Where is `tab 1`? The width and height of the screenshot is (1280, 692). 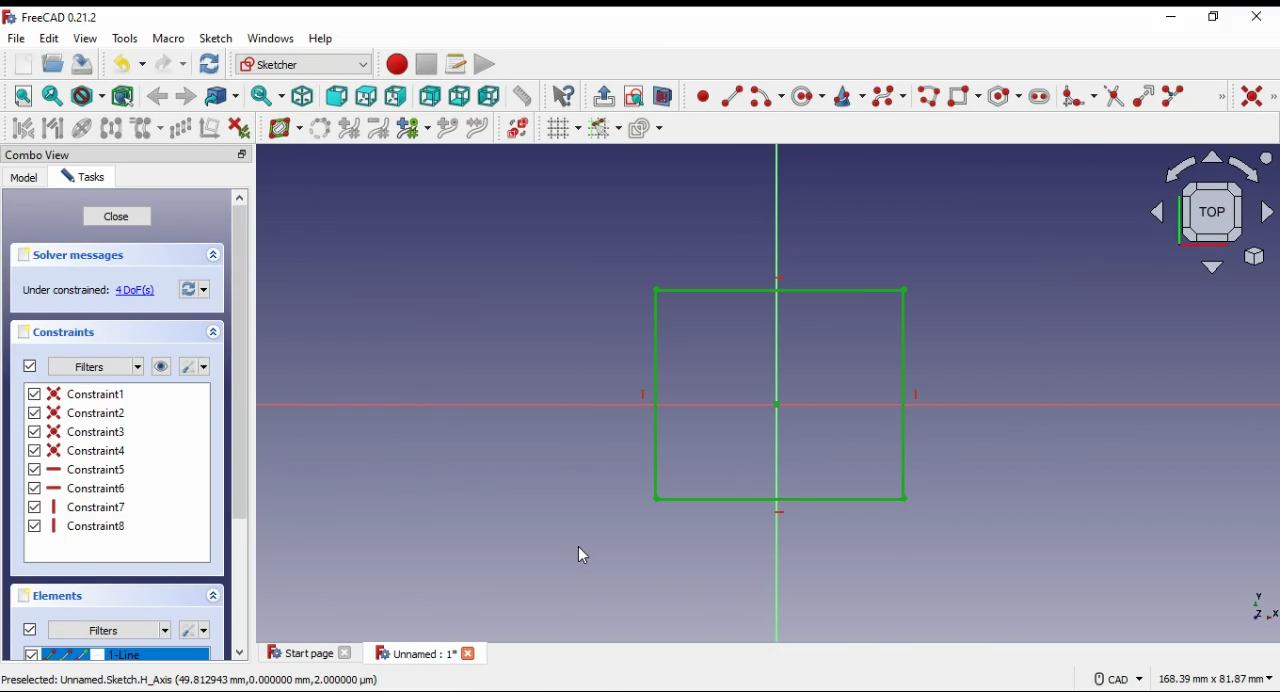
tab 1 is located at coordinates (311, 652).